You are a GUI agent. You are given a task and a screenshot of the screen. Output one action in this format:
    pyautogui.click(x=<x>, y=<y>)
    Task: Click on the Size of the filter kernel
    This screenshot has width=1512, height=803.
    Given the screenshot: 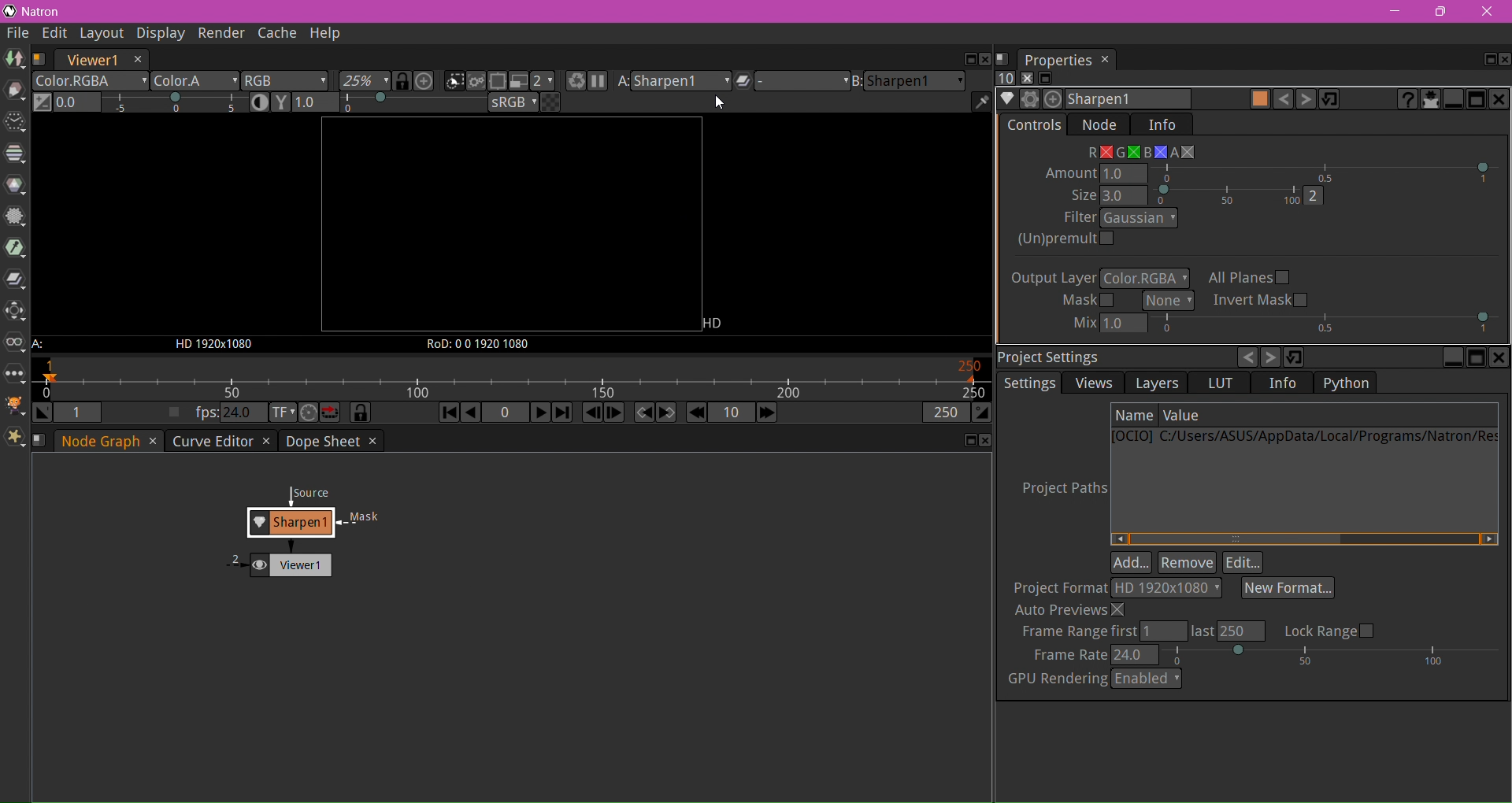 What is the action you would take?
    pyautogui.click(x=1198, y=195)
    